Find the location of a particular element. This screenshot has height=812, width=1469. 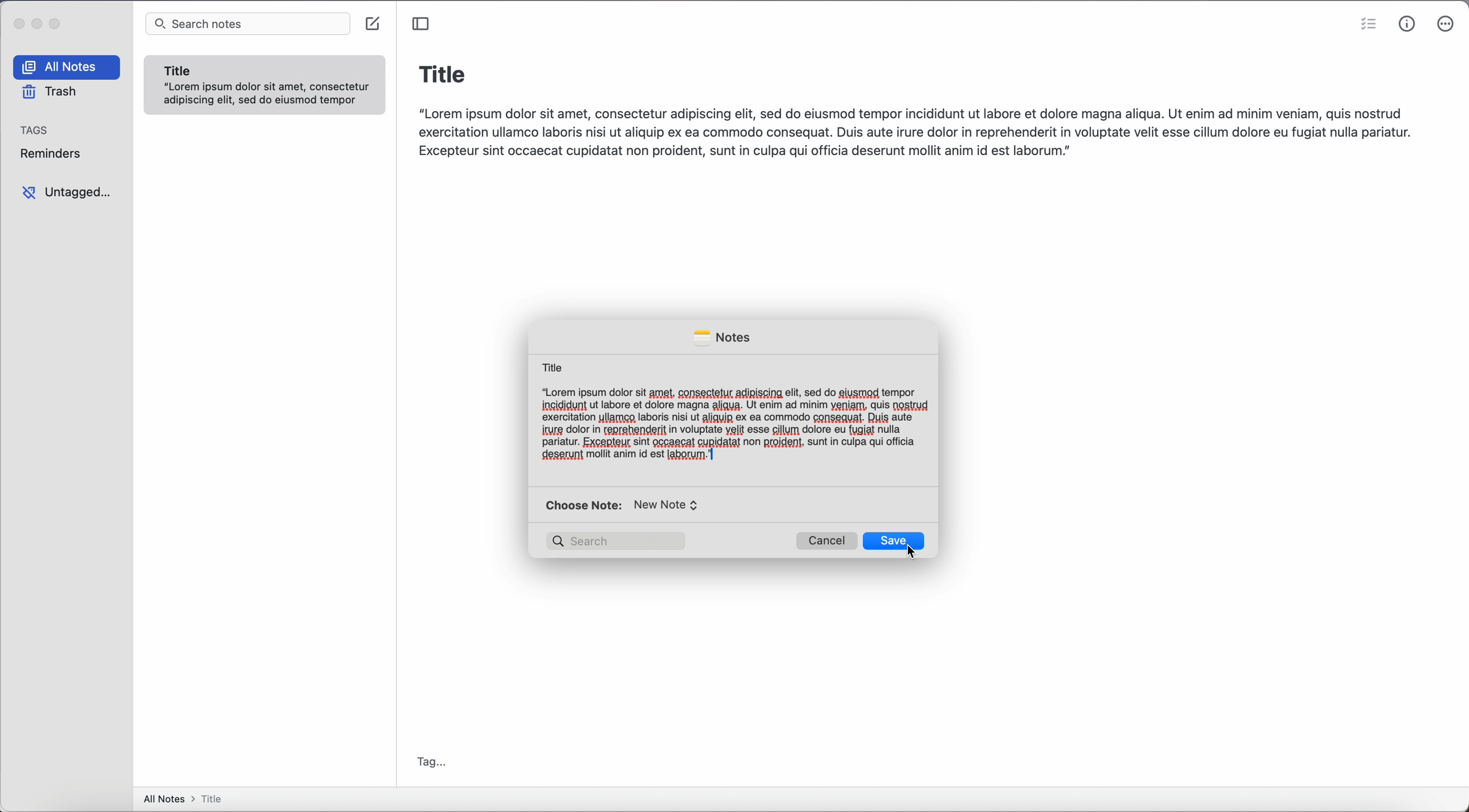

search bar is located at coordinates (248, 25).